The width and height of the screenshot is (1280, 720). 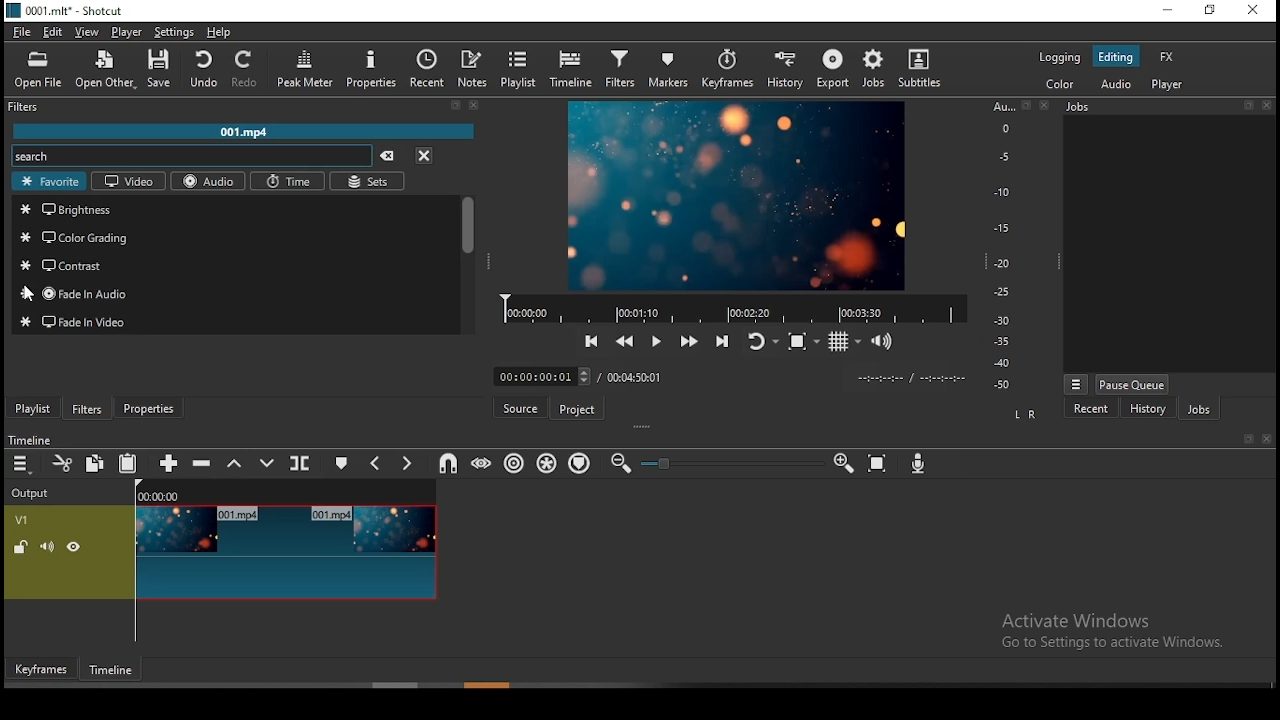 I want to click on toggle grid display on the player, so click(x=842, y=343).